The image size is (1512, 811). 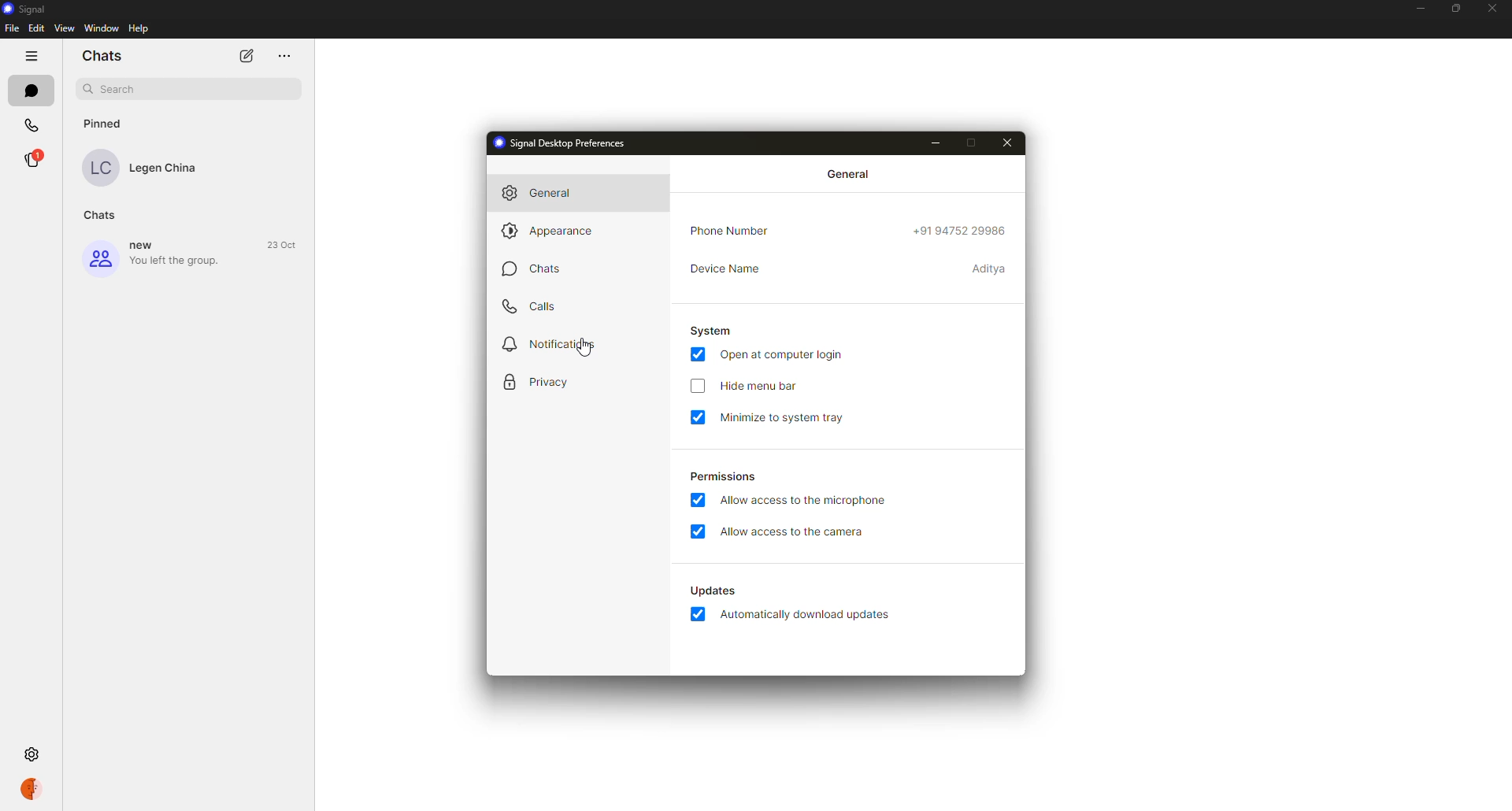 I want to click on Pinned, so click(x=105, y=124).